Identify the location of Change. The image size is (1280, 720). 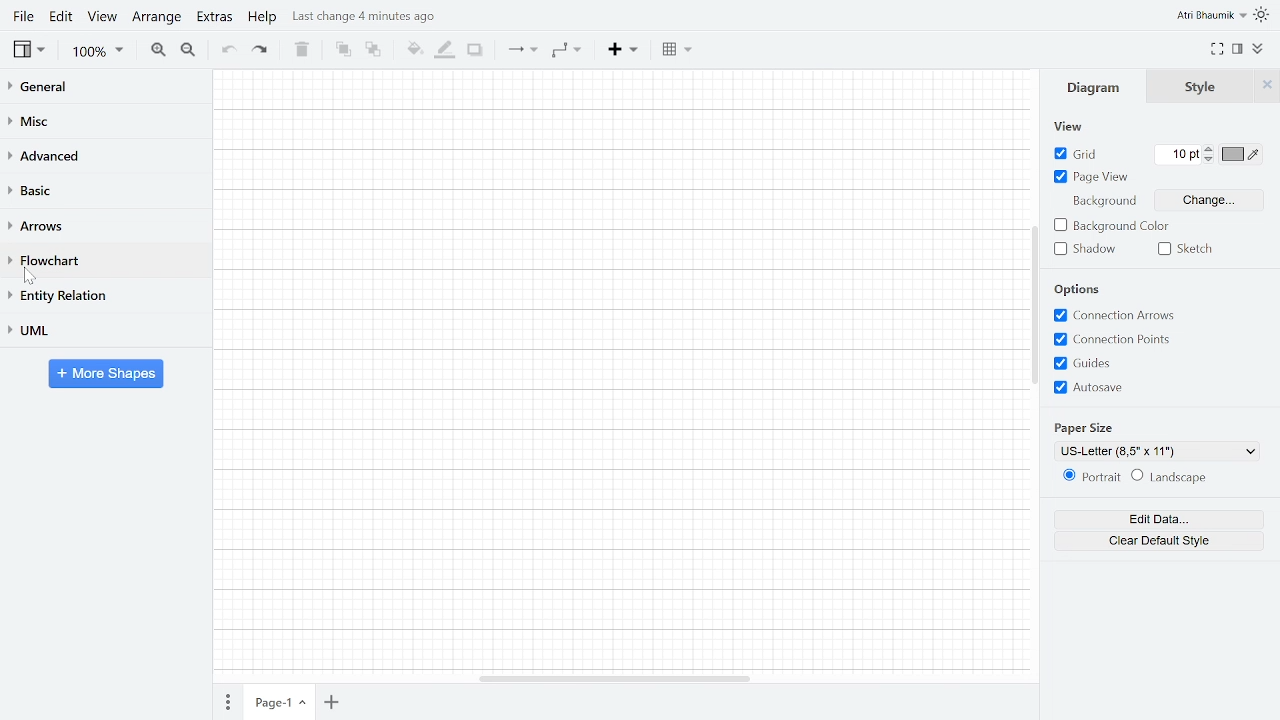
(1211, 200).